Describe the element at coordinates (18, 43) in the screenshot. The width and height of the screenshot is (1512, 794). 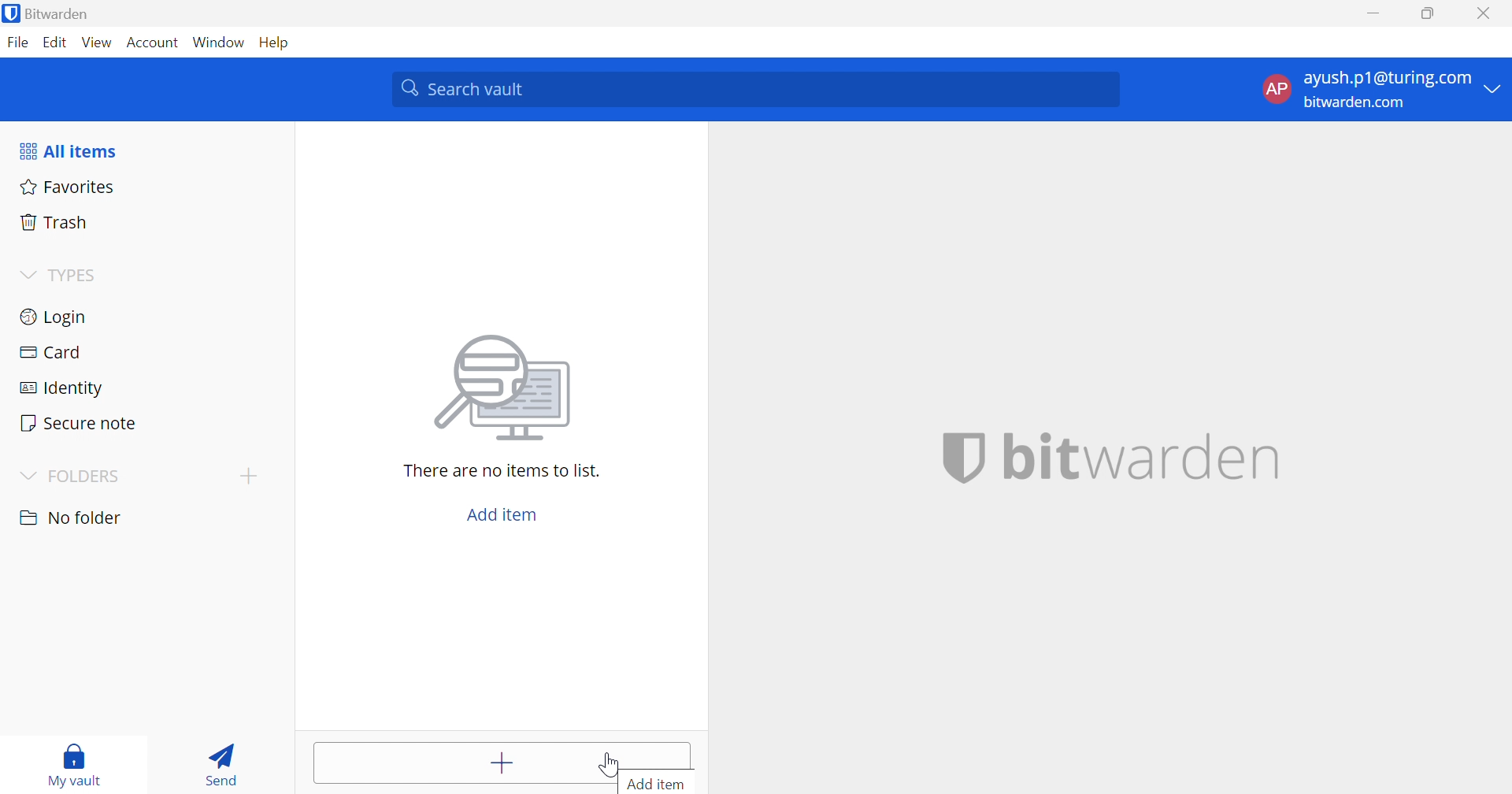
I see `File` at that location.